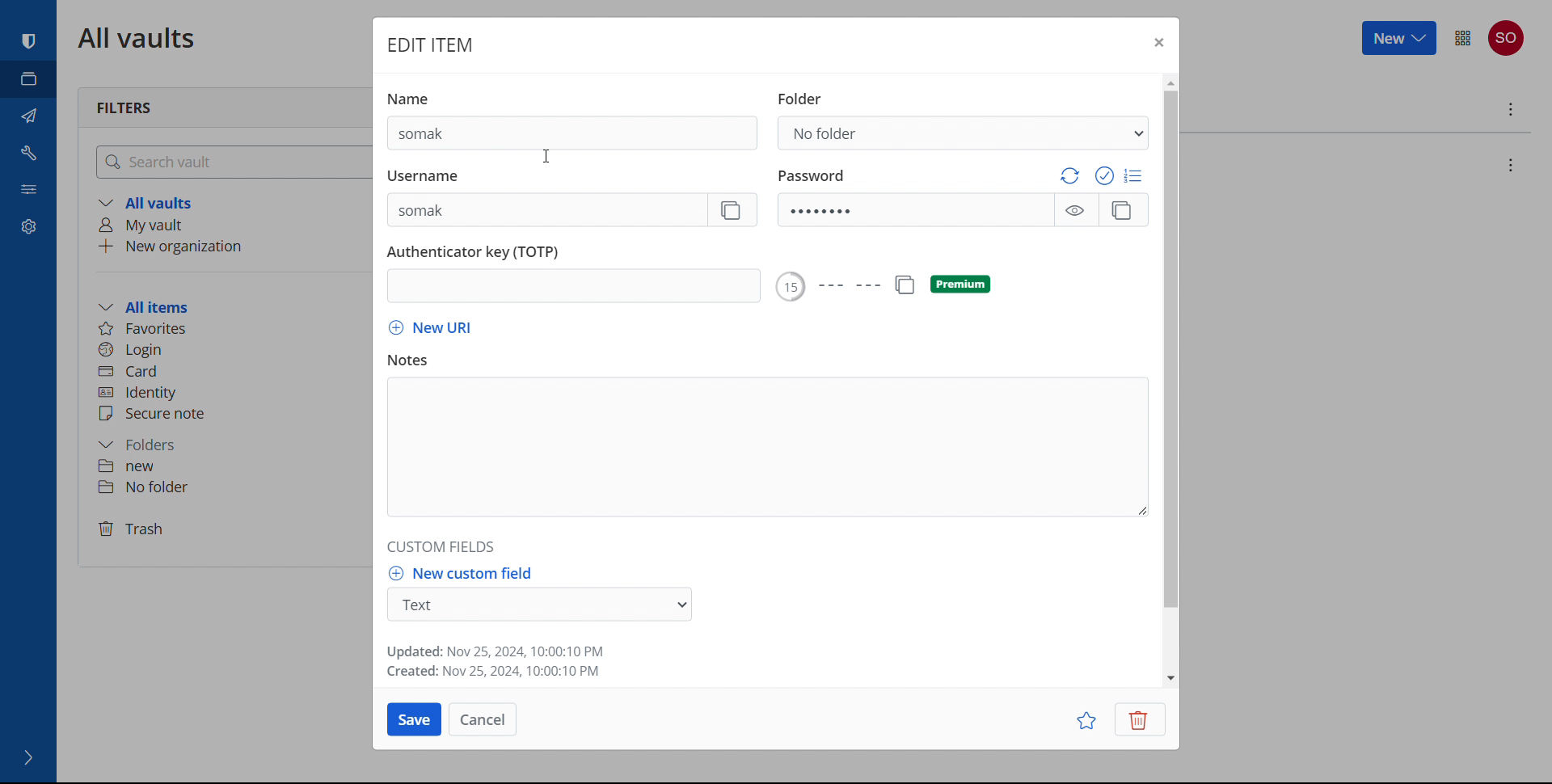 Image resolution: width=1552 pixels, height=784 pixels. Describe the element at coordinates (482, 719) in the screenshot. I see `cancel` at that location.